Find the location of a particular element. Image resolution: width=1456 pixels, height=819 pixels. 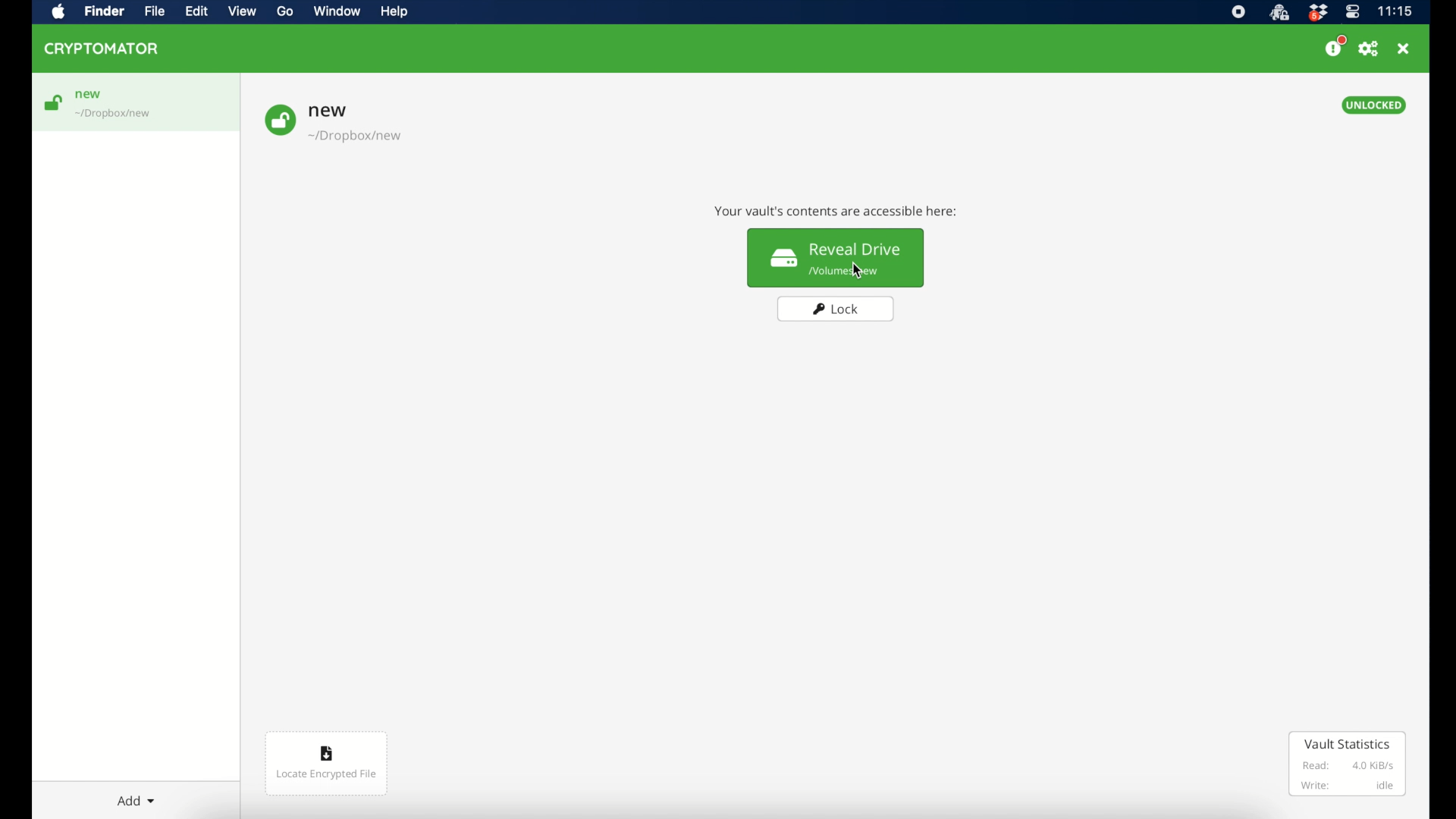

control center is located at coordinates (1353, 12).